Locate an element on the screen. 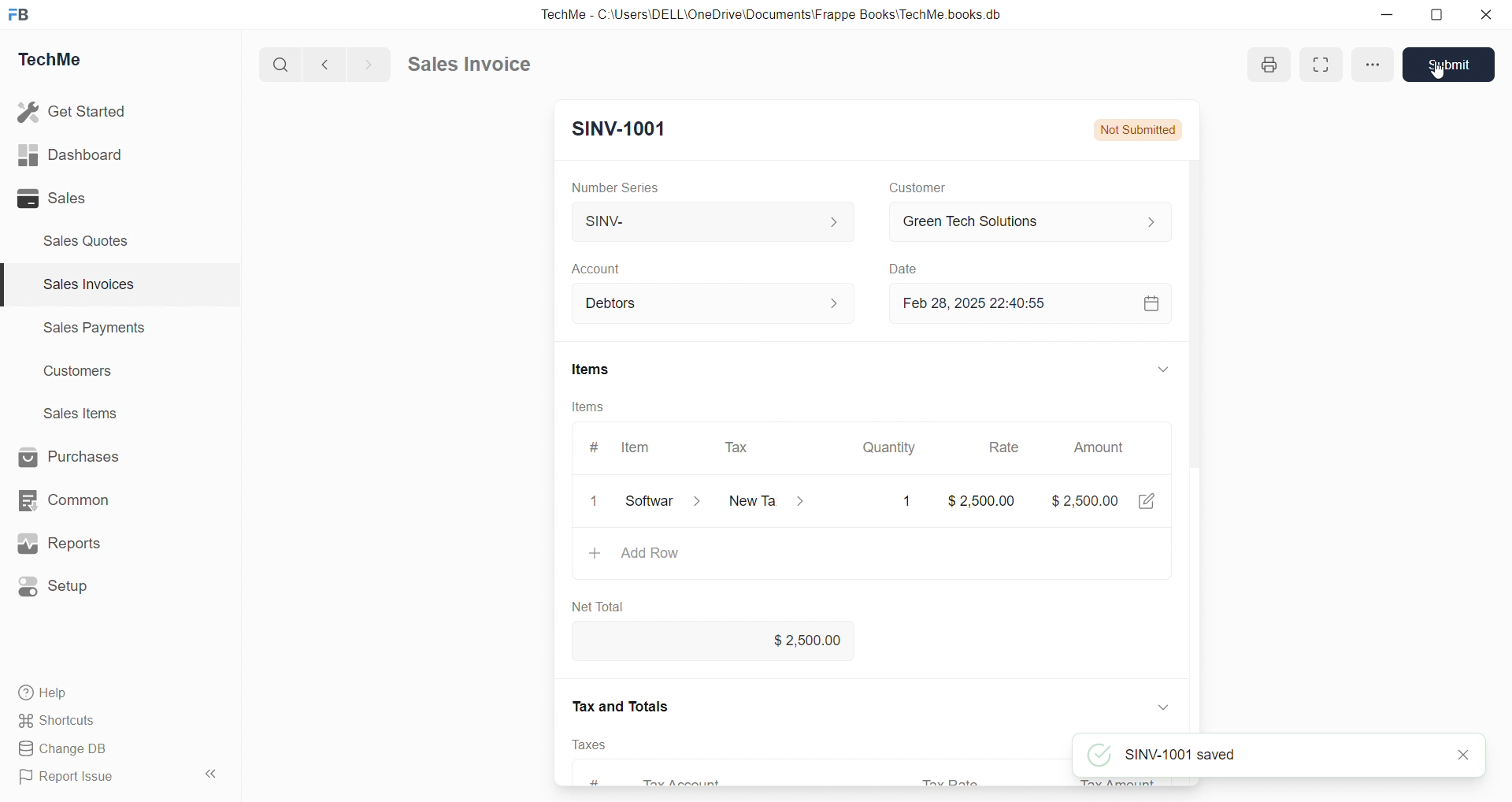 This screenshot has height=802, width=1512. Reports is located at coordinates (59, 543).